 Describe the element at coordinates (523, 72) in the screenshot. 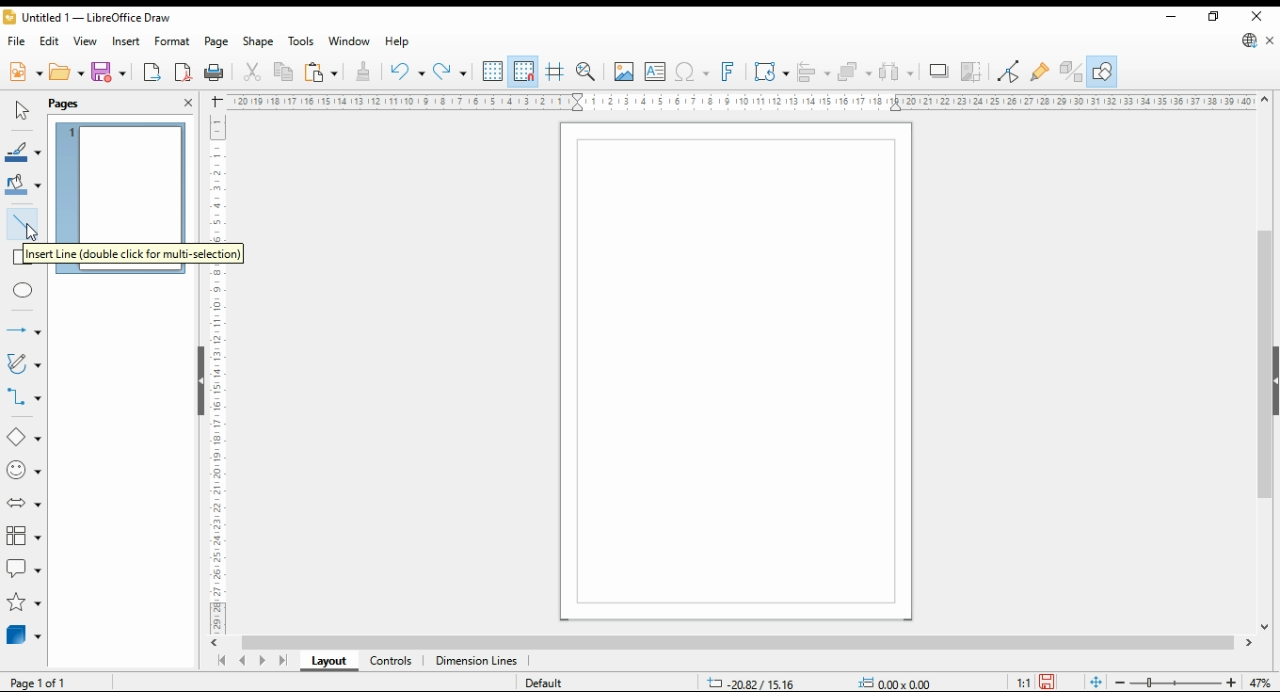

I see `snap to grid` at that location.